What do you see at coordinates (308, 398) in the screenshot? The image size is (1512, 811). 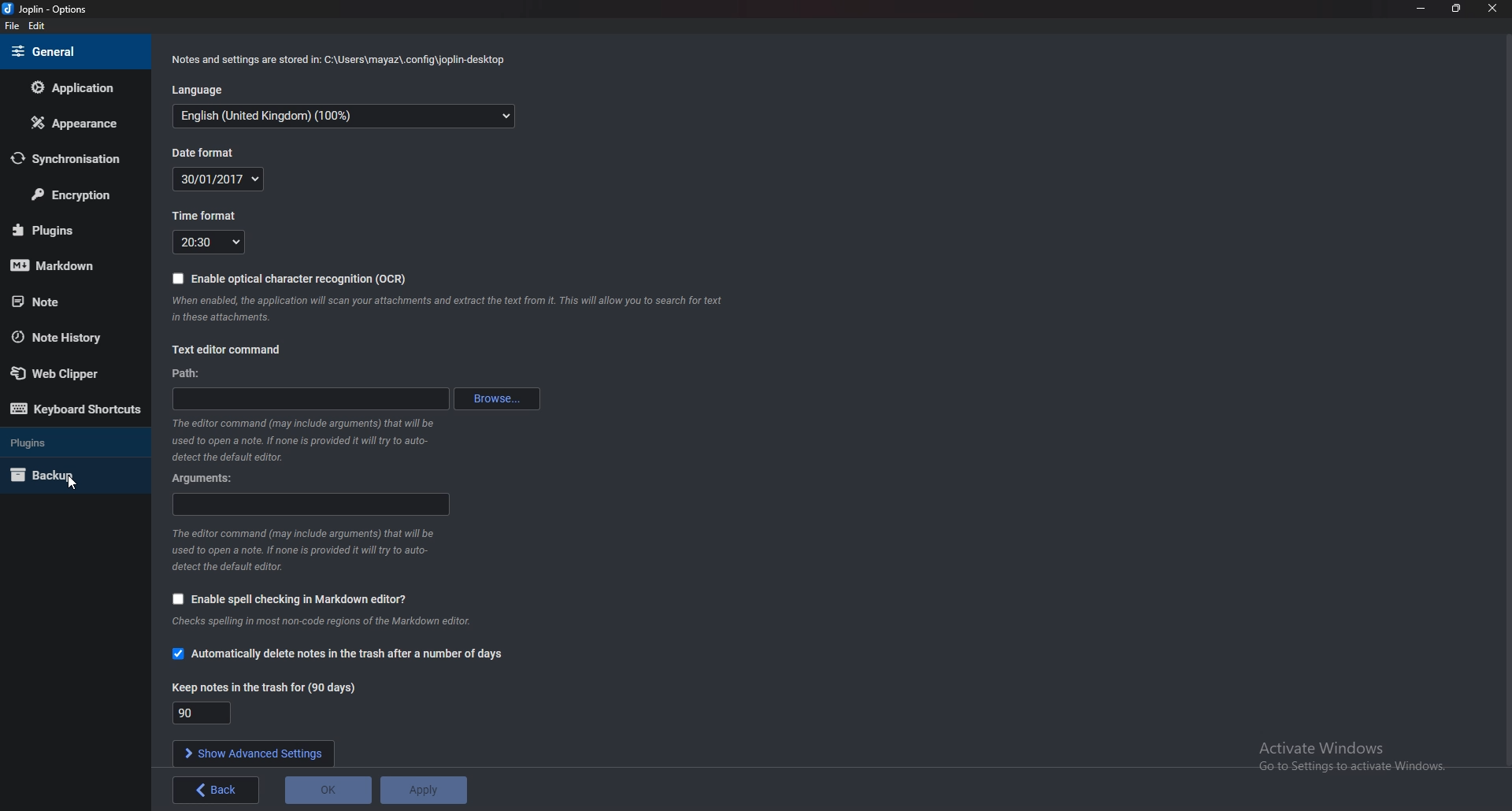 I see `path` at bounding box center [308, 398].